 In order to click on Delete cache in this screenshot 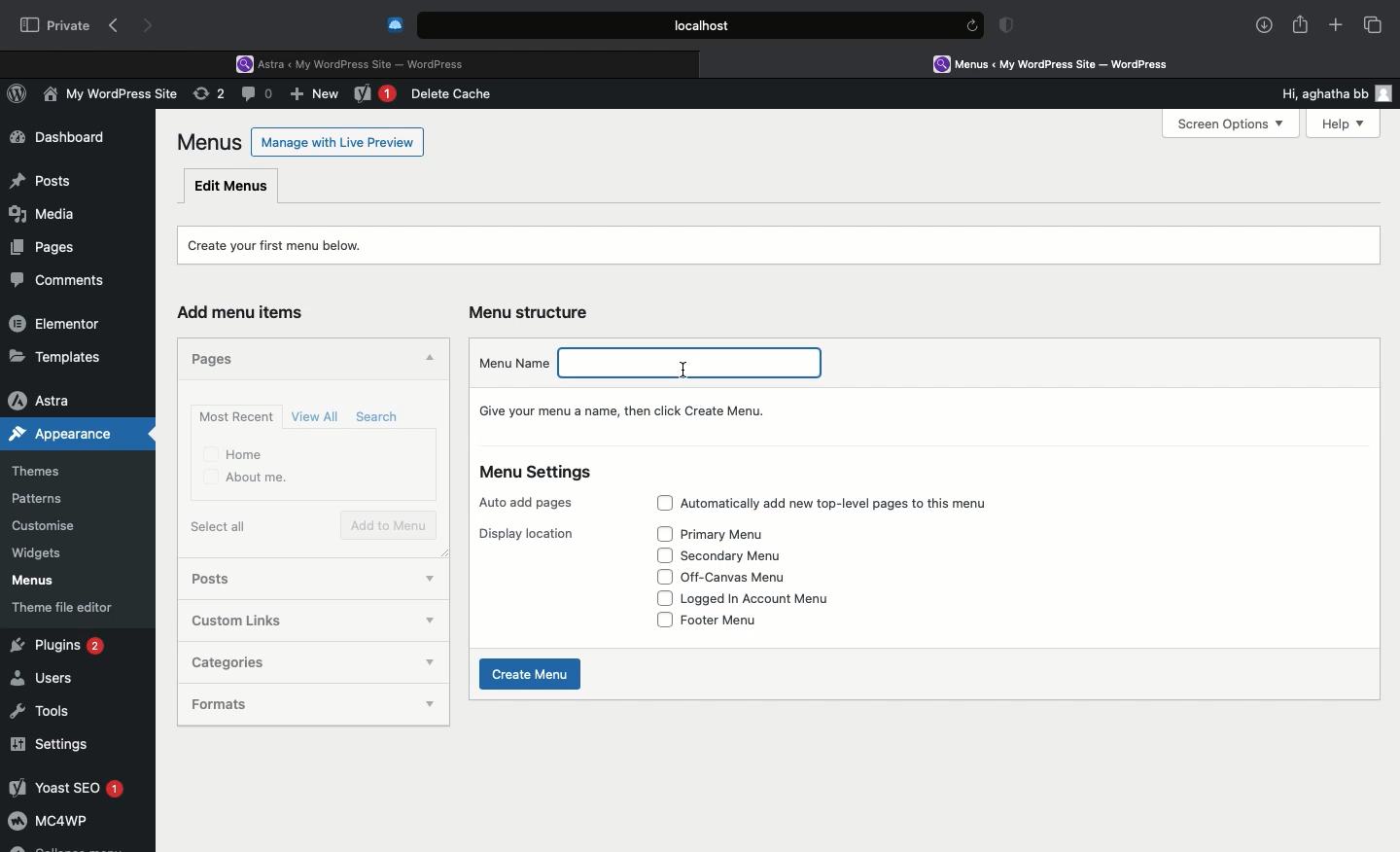, I will do `click(455, 94)`.